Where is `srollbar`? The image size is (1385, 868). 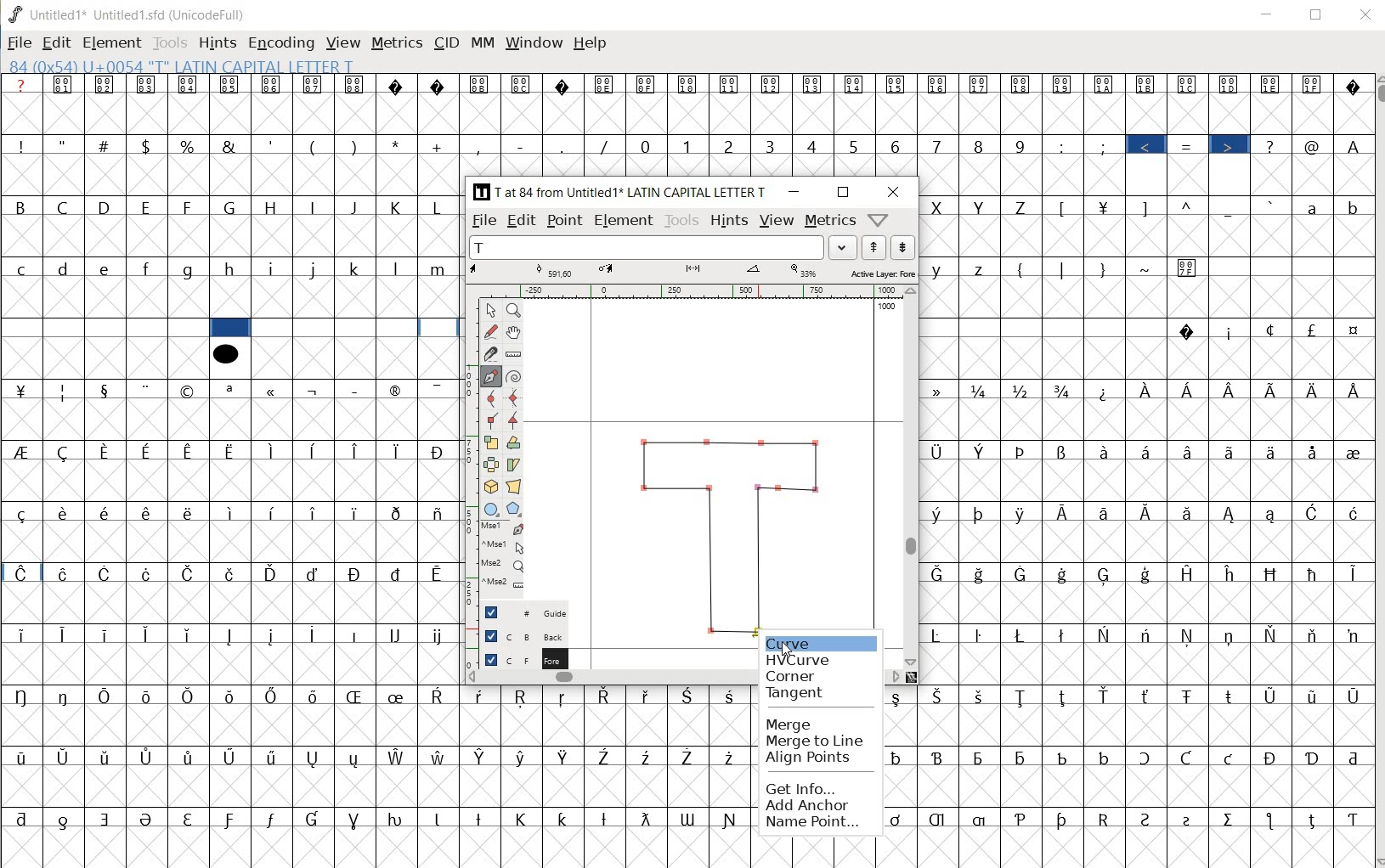
srollbar is located at coordinates (612, 676).